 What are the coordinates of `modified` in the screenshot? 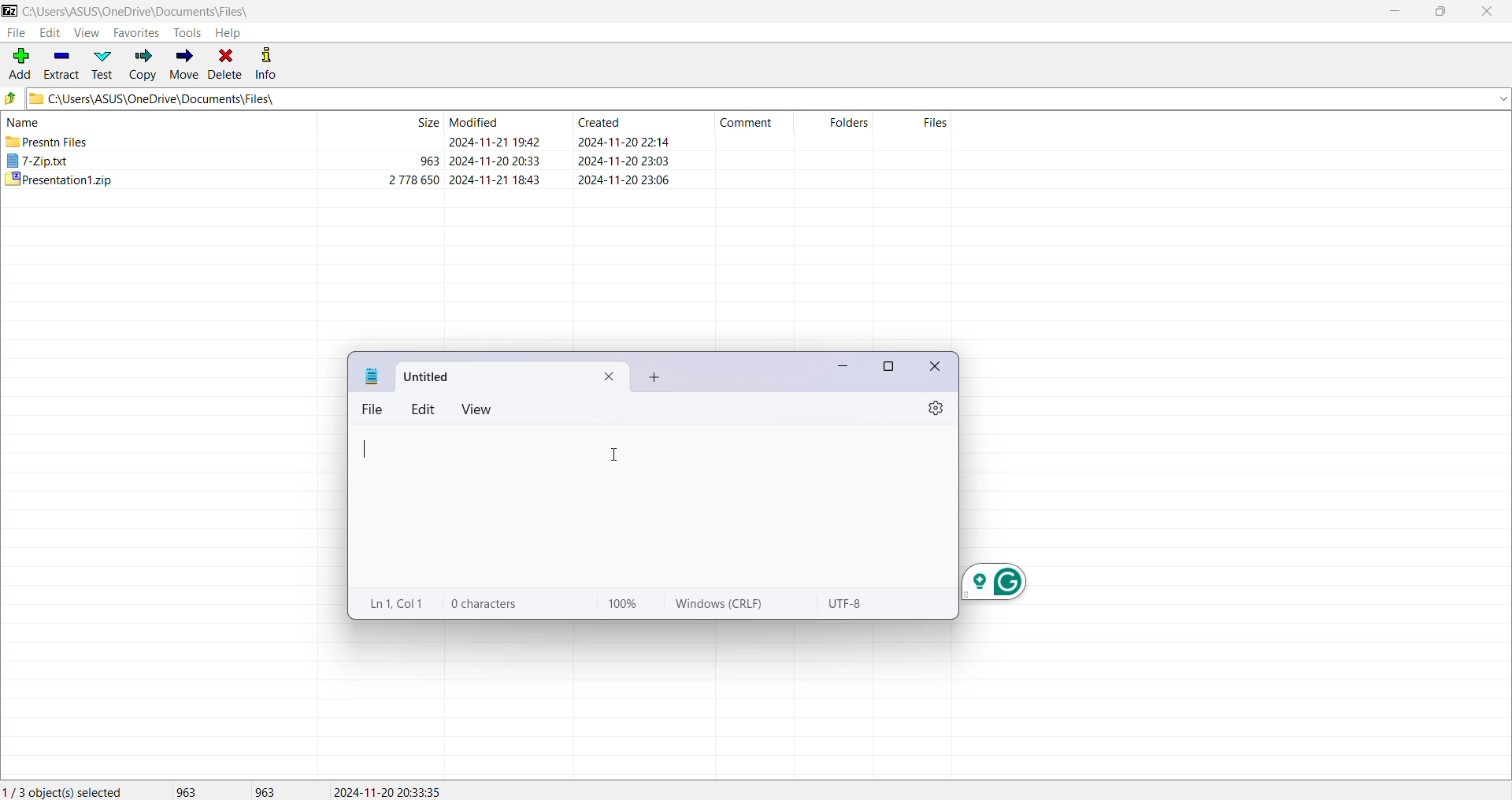 It's located at (474, 122).